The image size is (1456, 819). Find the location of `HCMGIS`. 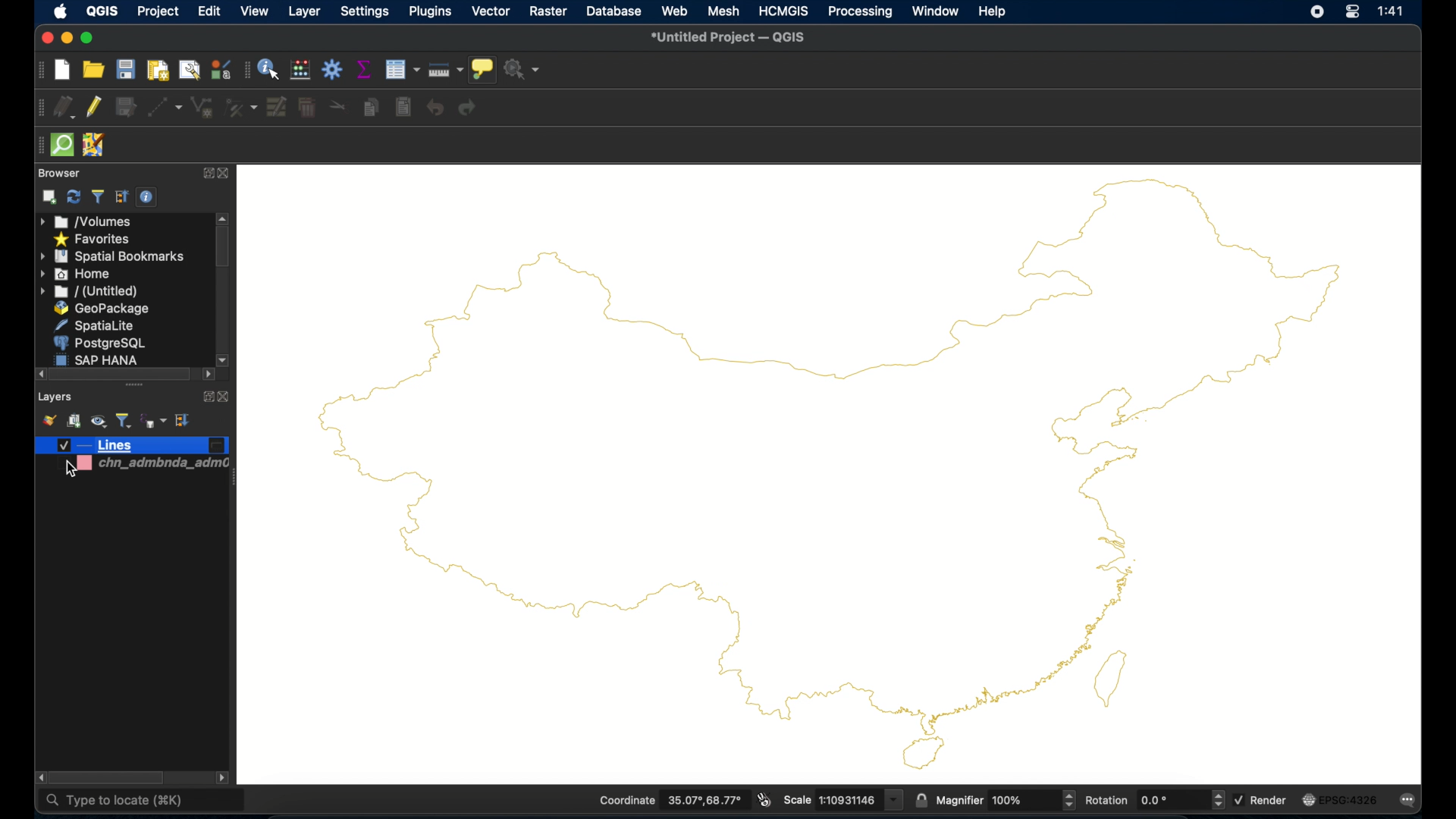

HCMGIS is located at coordinates (783, 11).